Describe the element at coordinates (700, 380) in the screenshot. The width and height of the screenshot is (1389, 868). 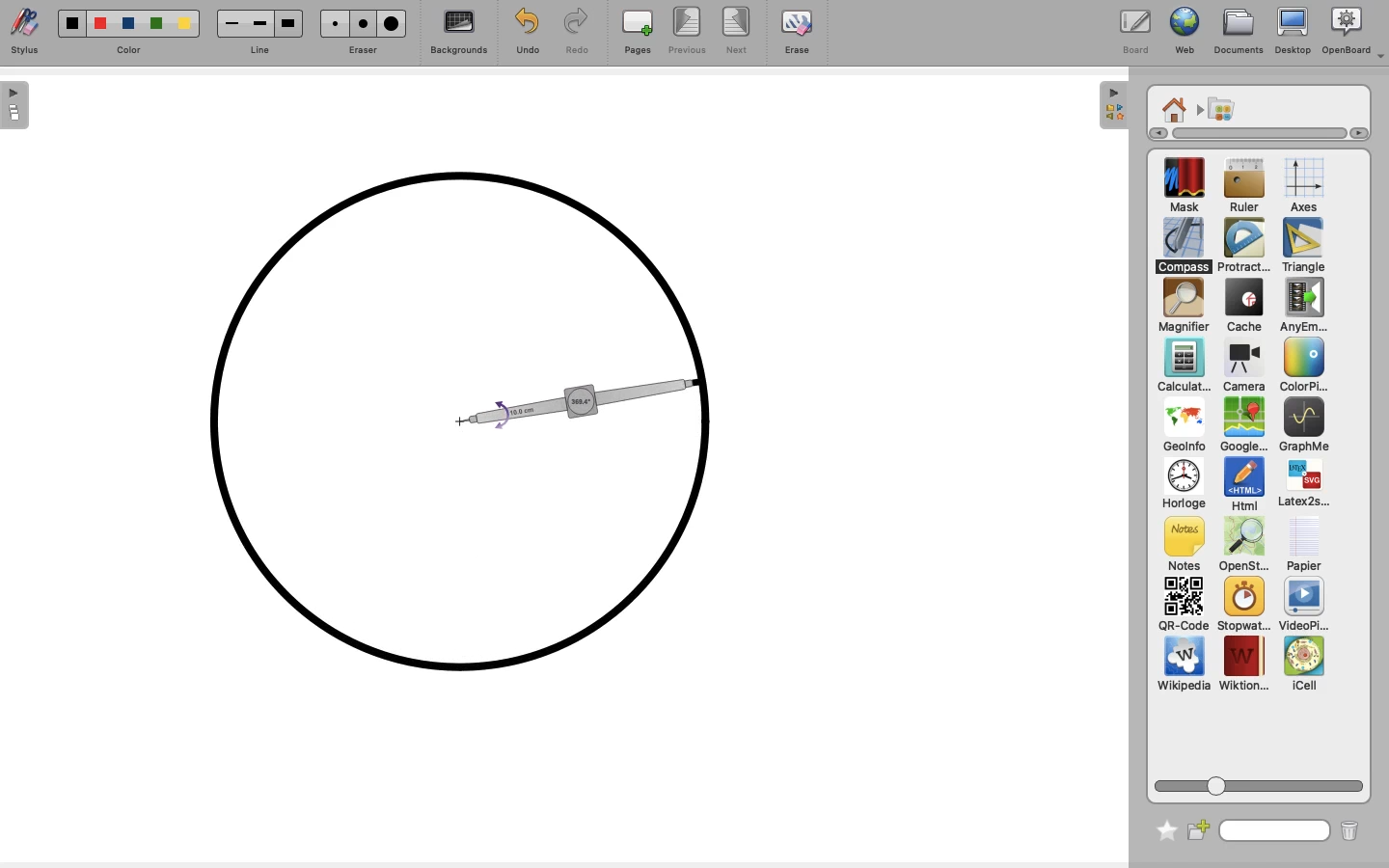
I see `drag to` at that location.